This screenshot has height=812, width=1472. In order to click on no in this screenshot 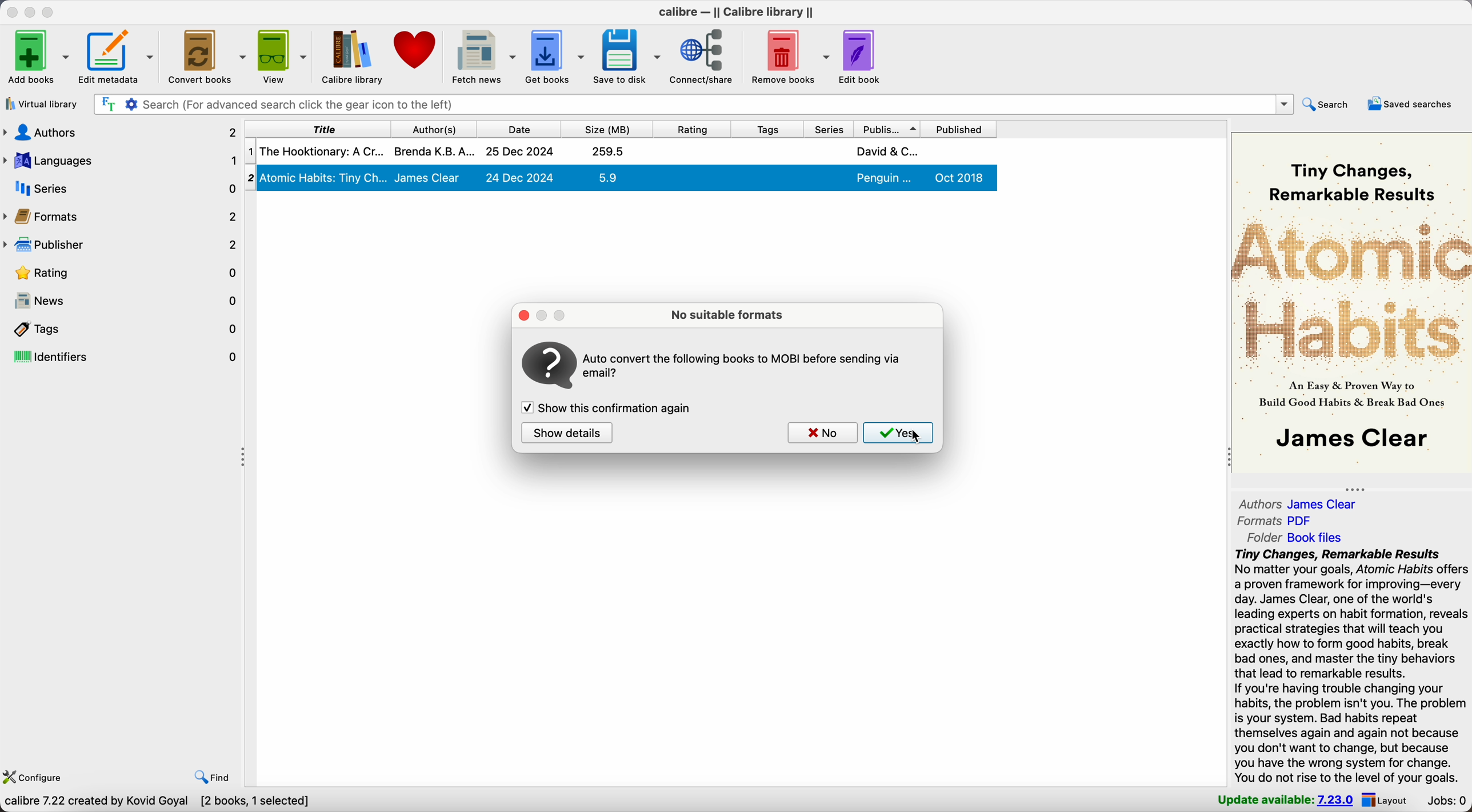, I will do `click(825, 431)`.